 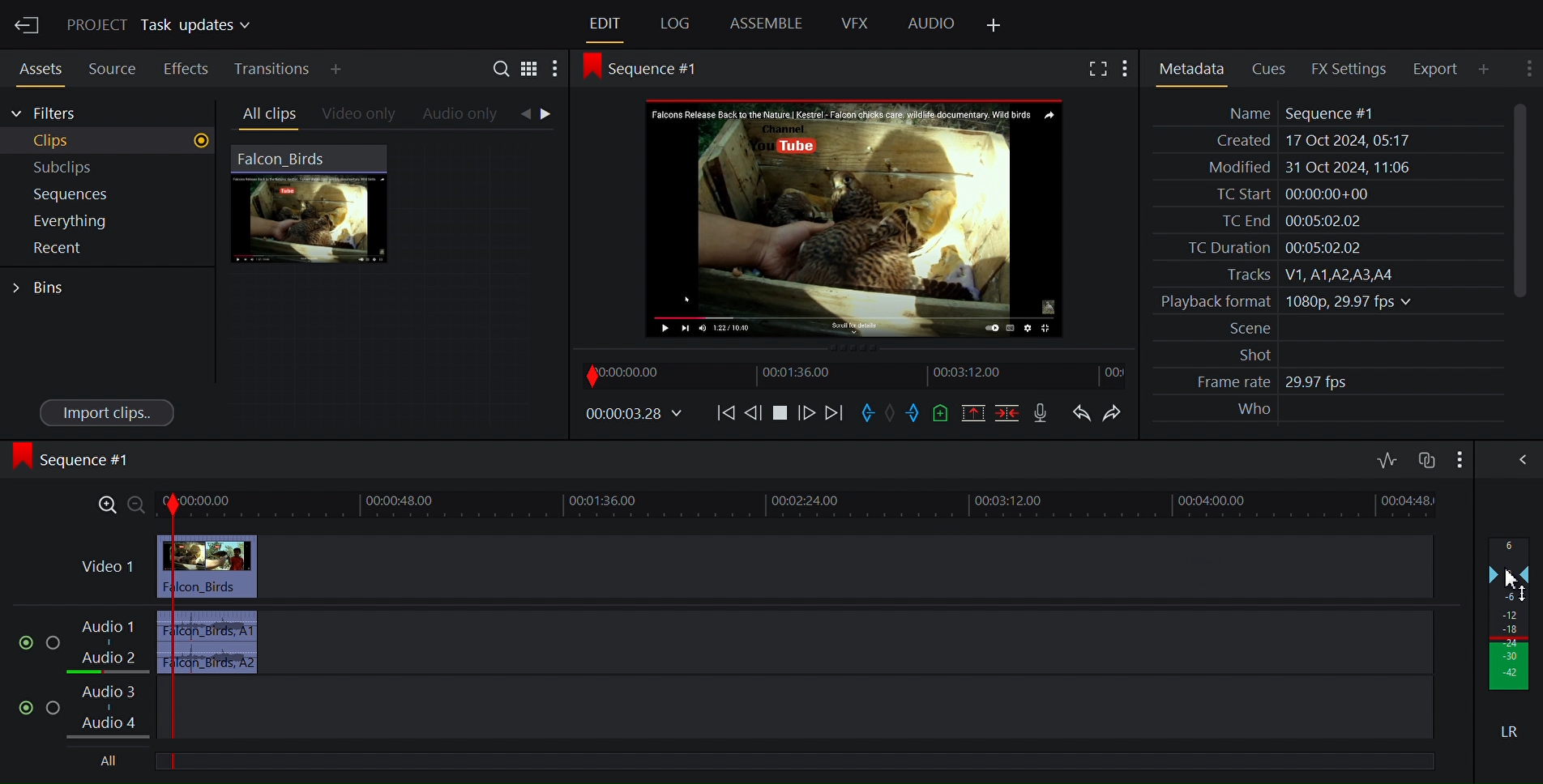 What do you see at coordinates (1301, 168) in the screenshot?
I see `Modified 31 Oct 2024, 11:06` at bounding box center [1301, 168].